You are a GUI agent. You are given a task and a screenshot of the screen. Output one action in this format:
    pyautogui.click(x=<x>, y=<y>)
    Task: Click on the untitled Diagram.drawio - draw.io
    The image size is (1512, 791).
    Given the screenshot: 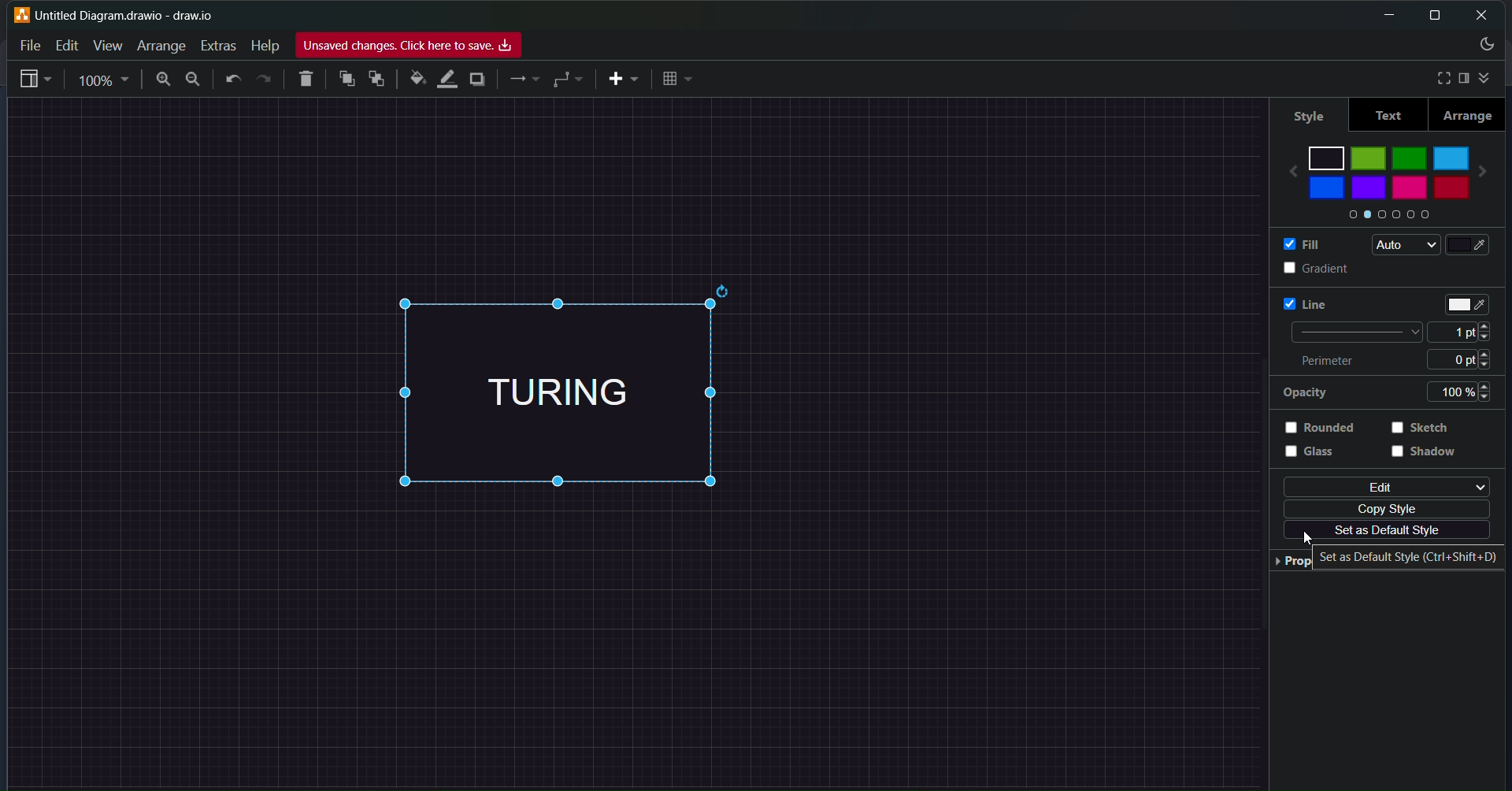 What is the action you would take?
    pyautogui.click(x=135, y=13)
    